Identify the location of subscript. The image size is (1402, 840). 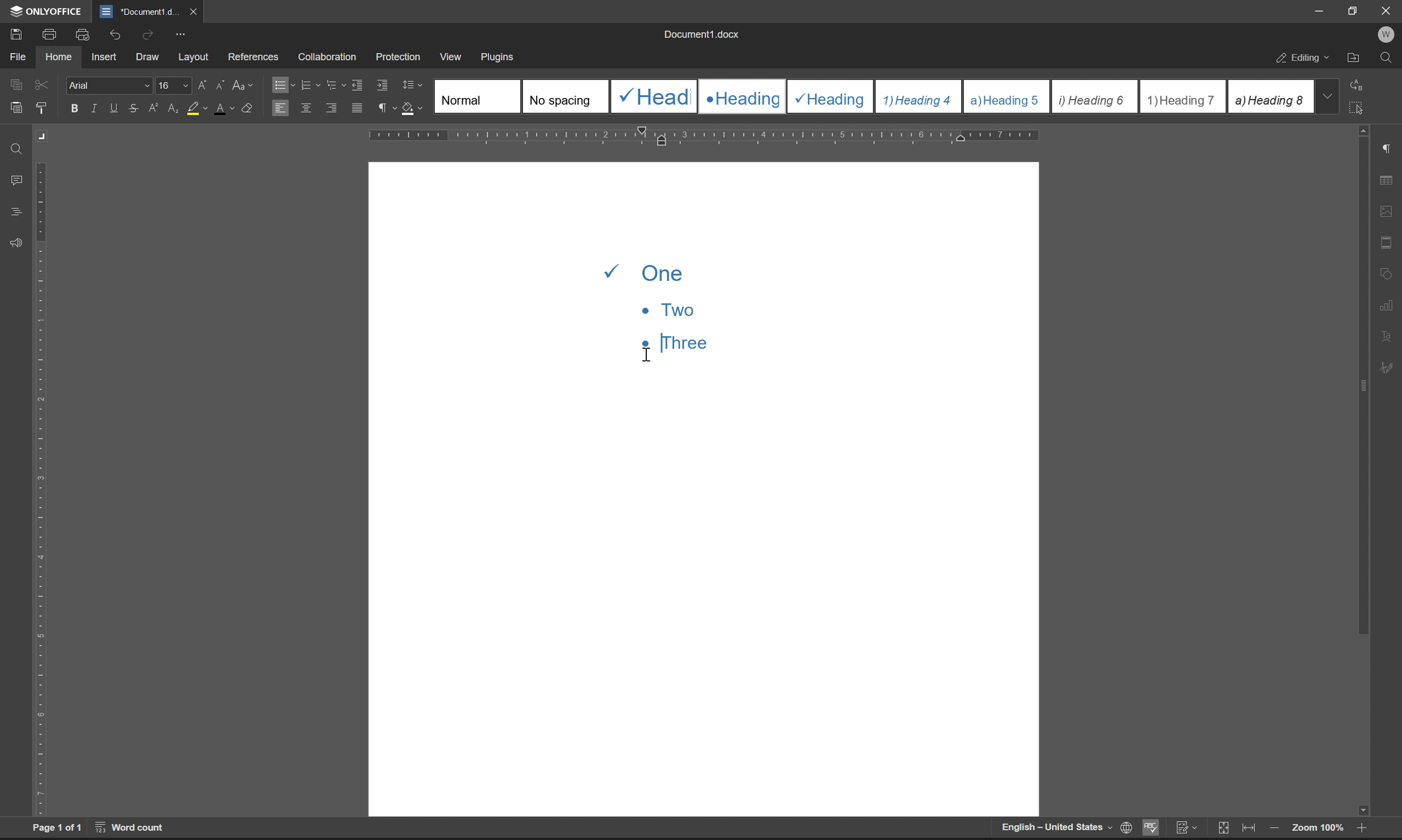
(174, 106).